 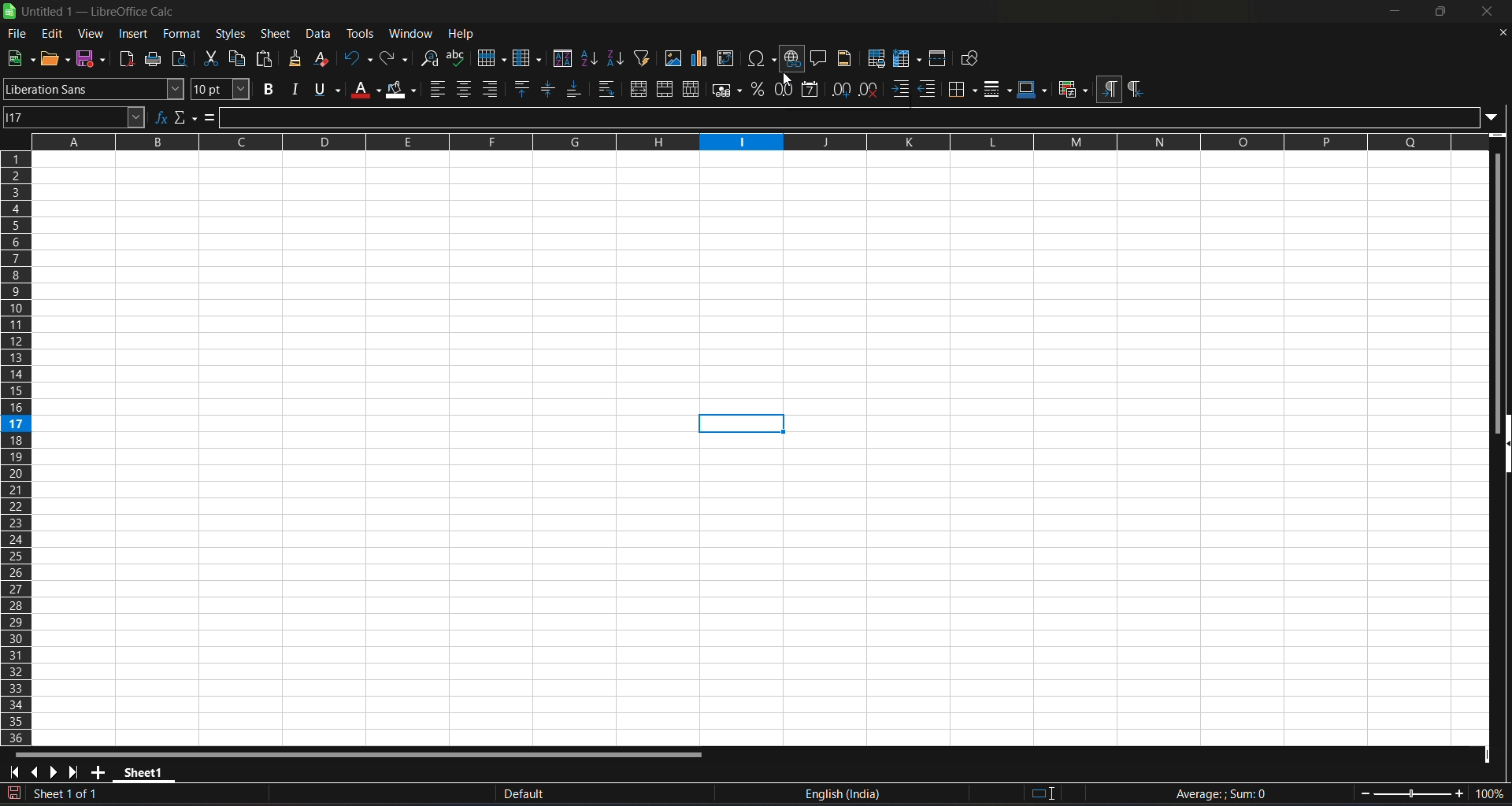 I want to click on conditional, so click(x=1072, y=90).